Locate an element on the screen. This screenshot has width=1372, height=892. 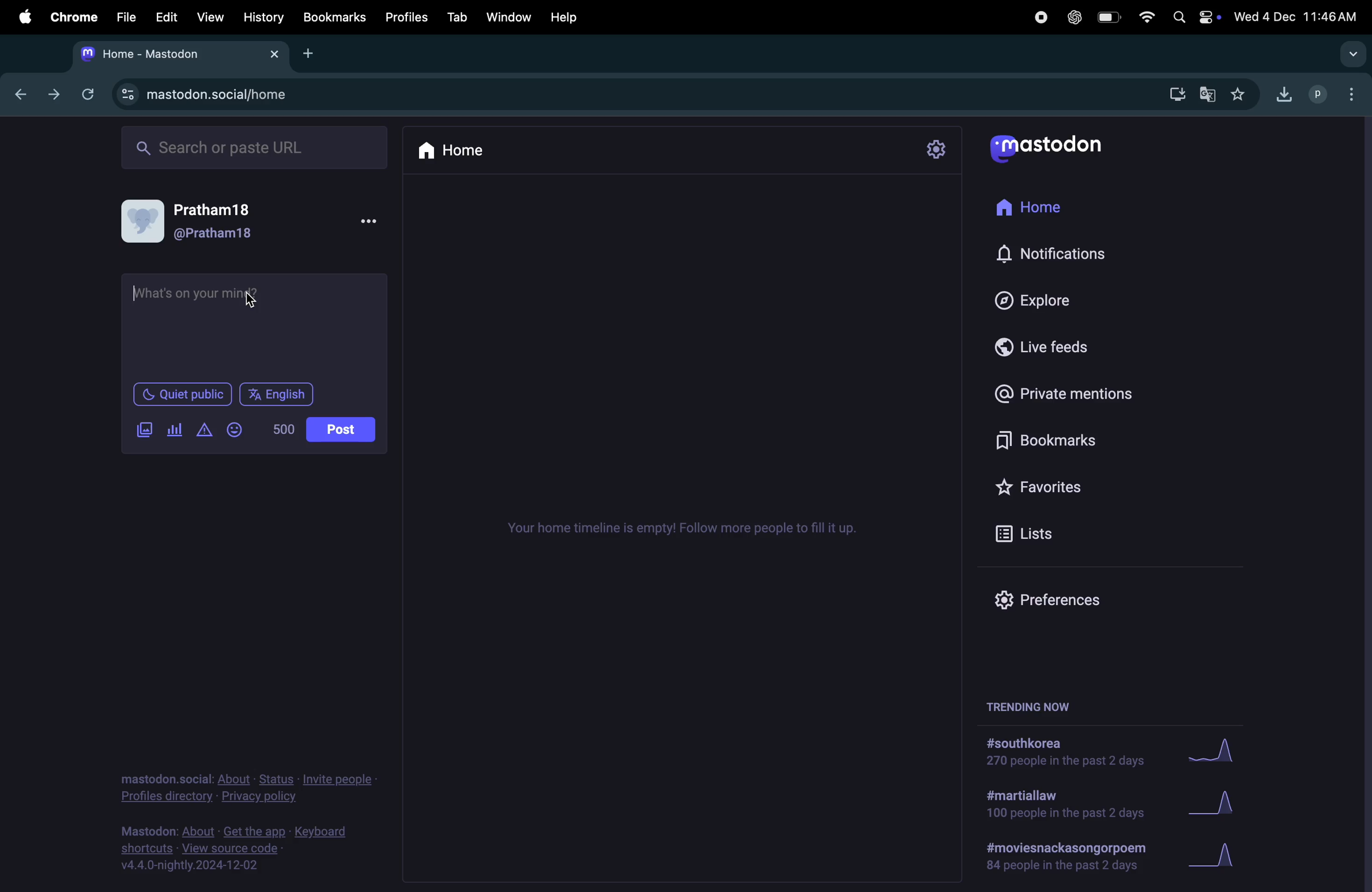
images is located at coordinates (144, 430).